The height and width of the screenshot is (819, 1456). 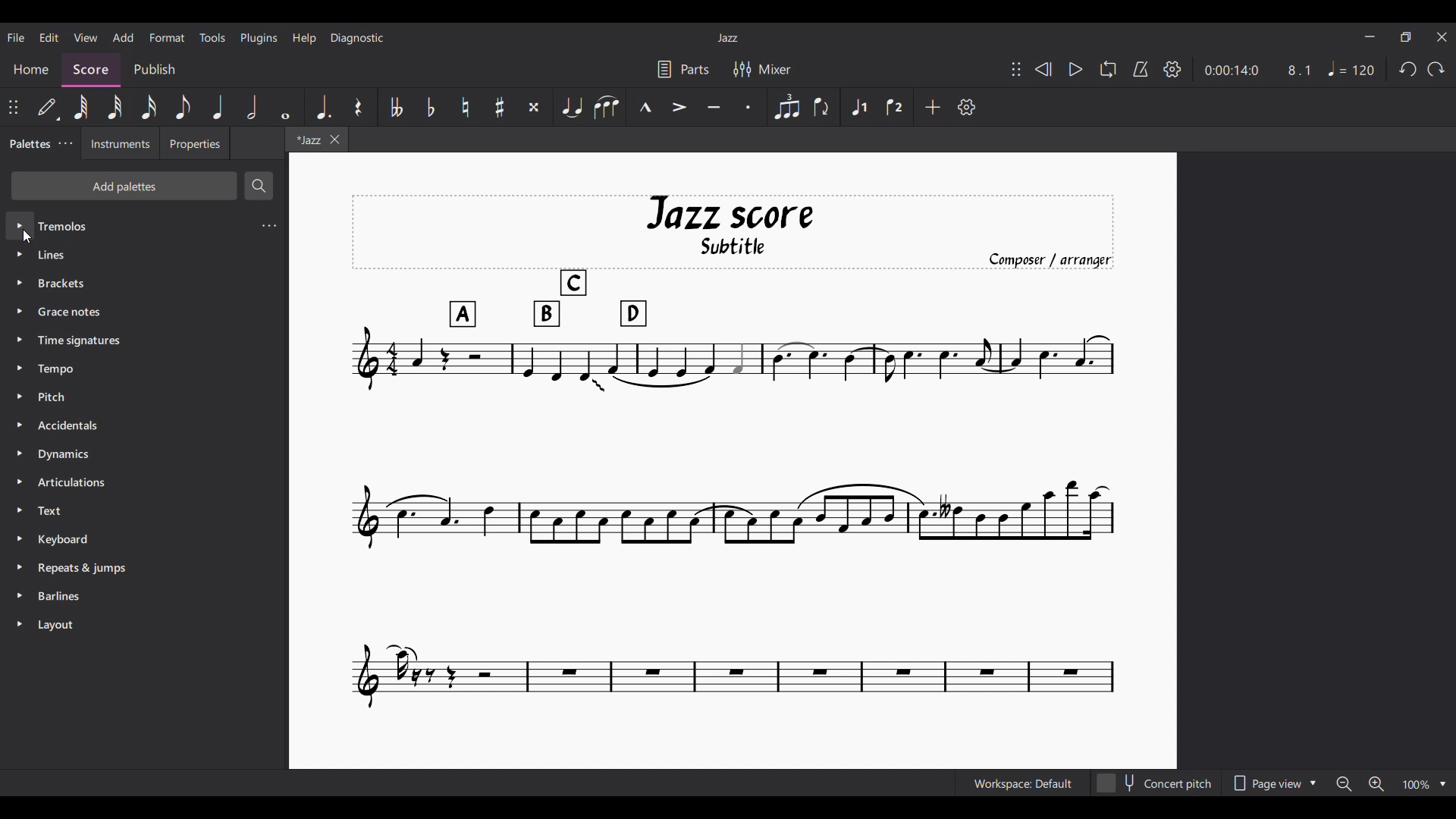 What do you see at coordinates (259, 186) in the screenshot?
I see `Search` at bounding box center [259, 186].